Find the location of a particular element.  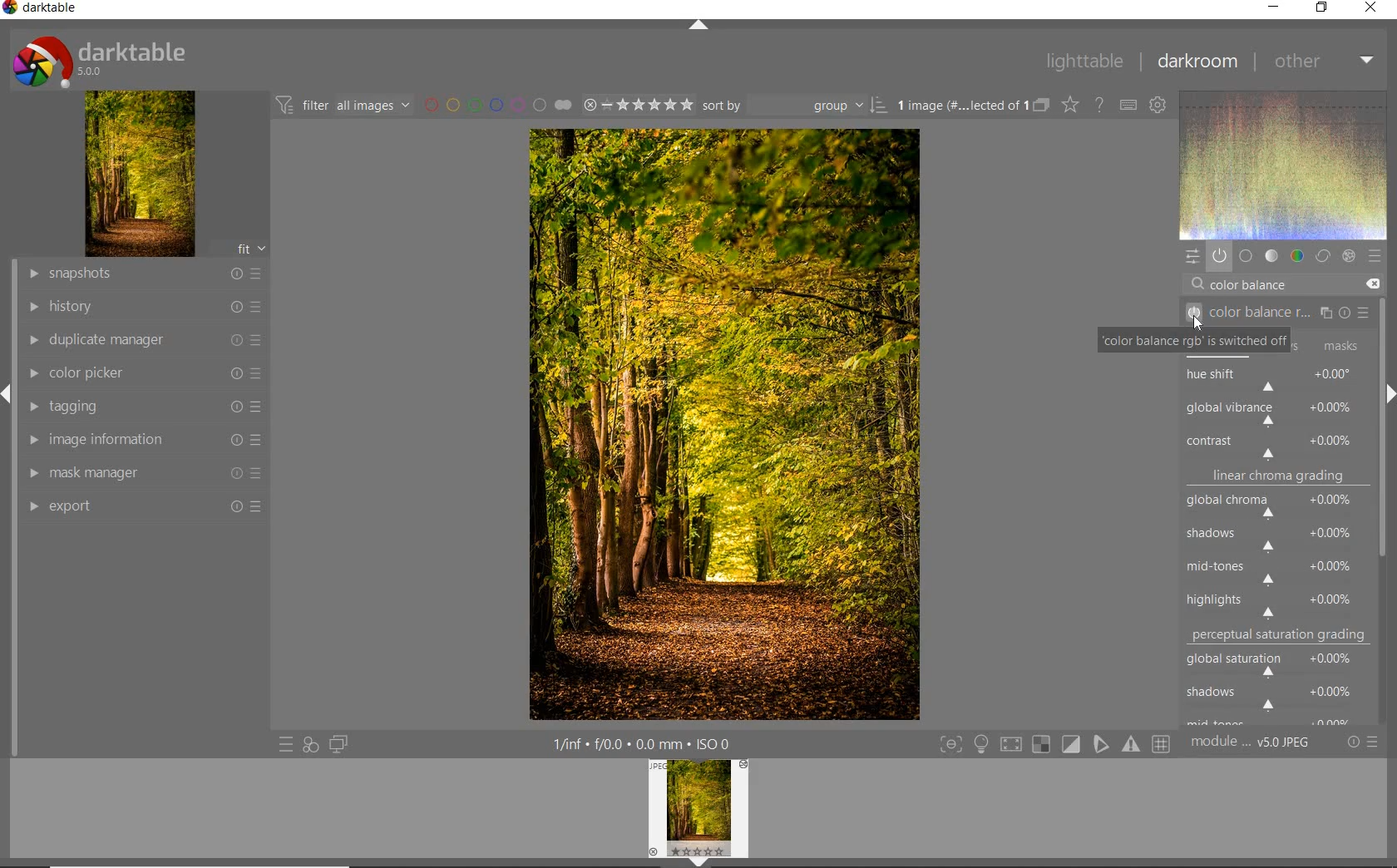

display a second darkroom image window is located at coordinates (335, 744).